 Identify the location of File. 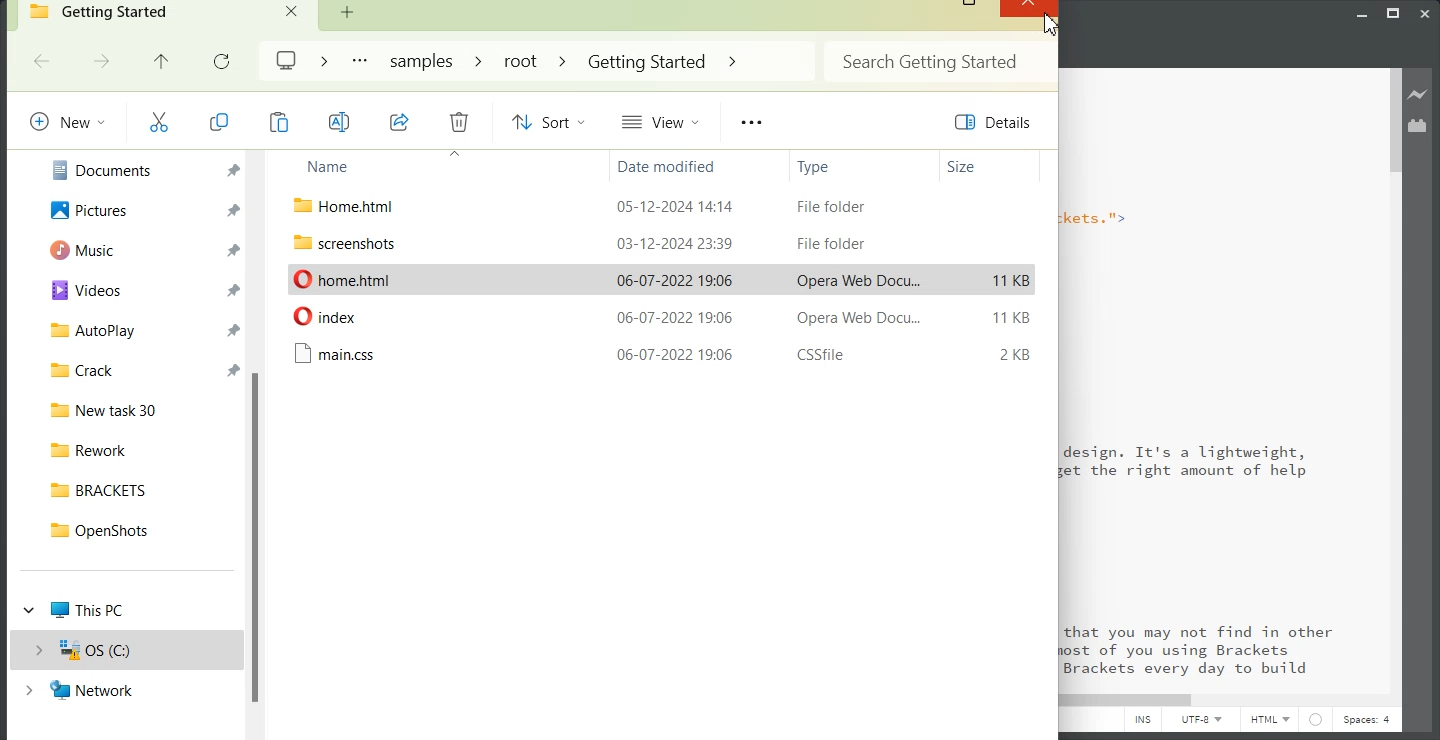
(361, 320).